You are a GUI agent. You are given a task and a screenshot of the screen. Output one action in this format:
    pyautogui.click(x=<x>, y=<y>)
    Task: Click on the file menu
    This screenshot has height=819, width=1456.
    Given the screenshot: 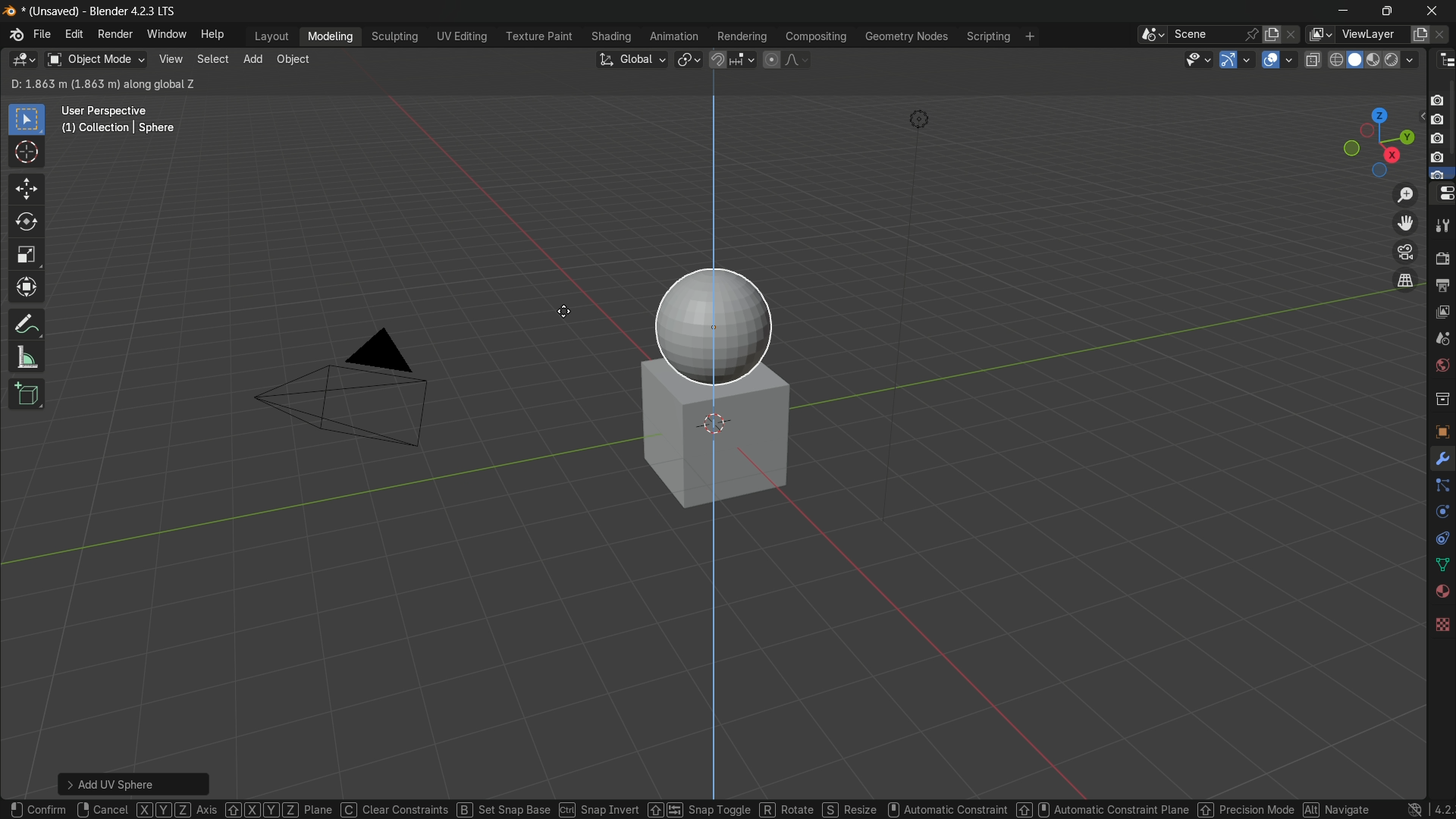 What is the action you would take?
    pyautogui.click(x=43, y=35)
    